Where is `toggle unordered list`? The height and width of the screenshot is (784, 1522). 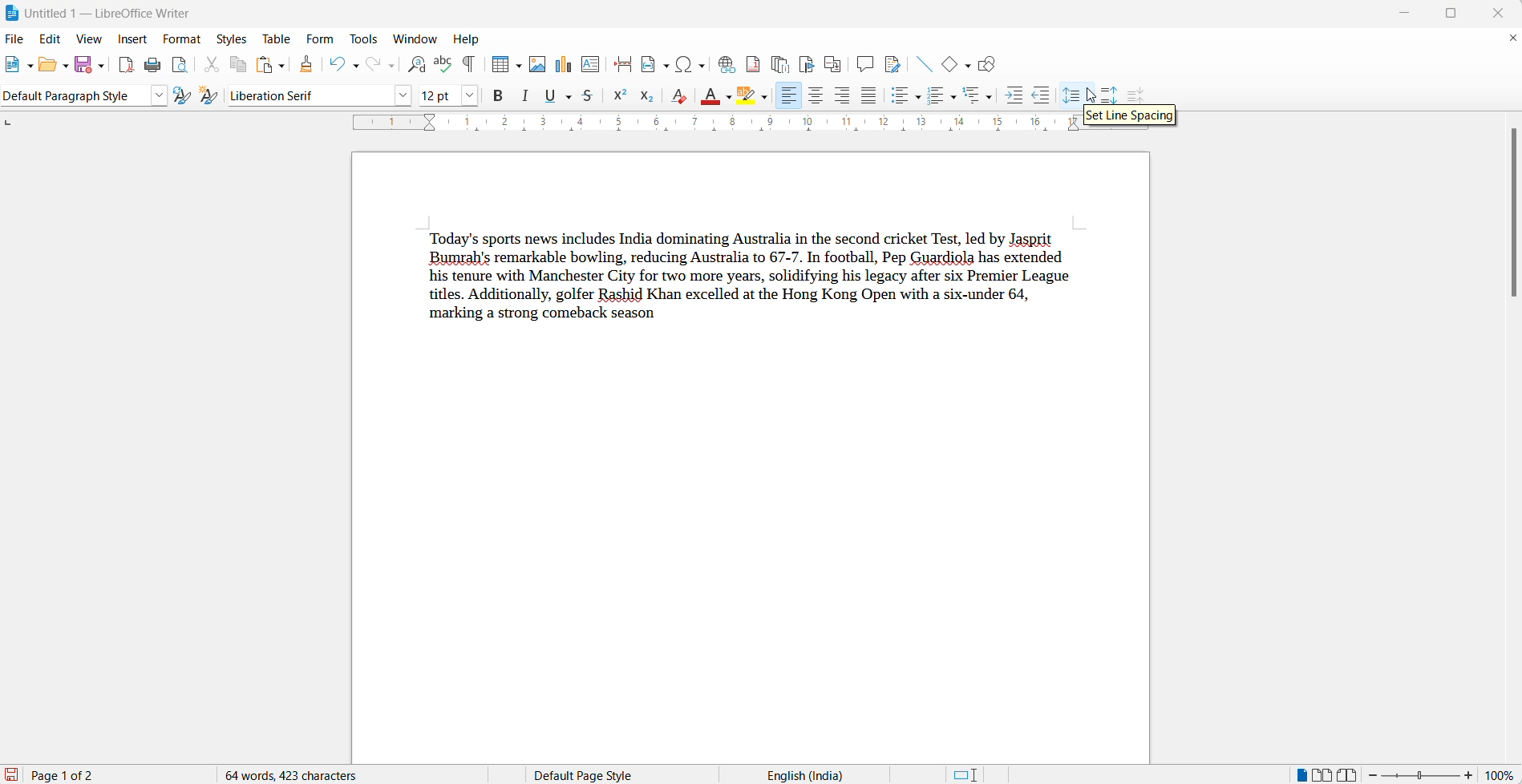 toggle unordered list is located at coordinates (900, 98).